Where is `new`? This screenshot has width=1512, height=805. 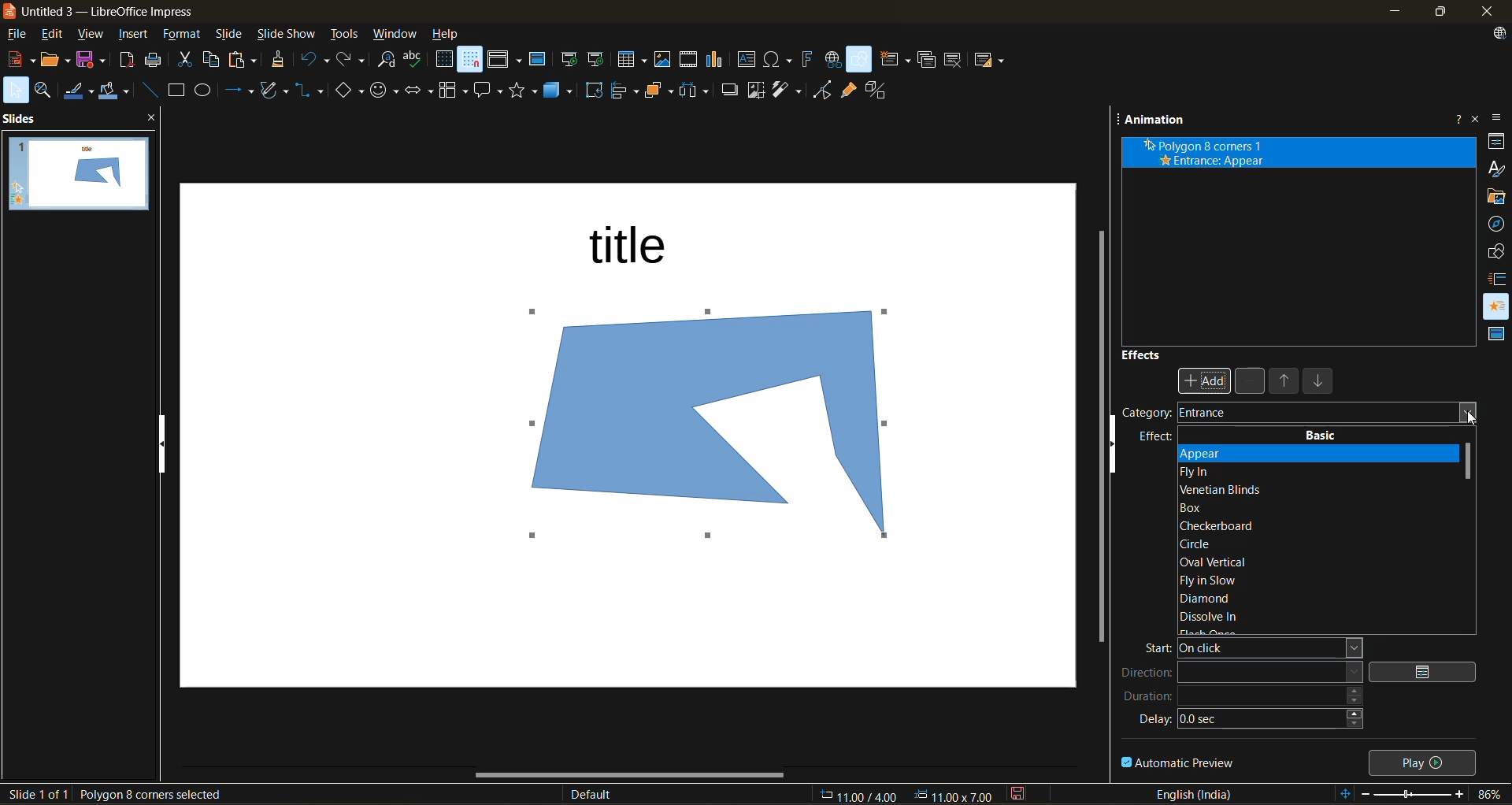 new is located at coordinates (19, 59).